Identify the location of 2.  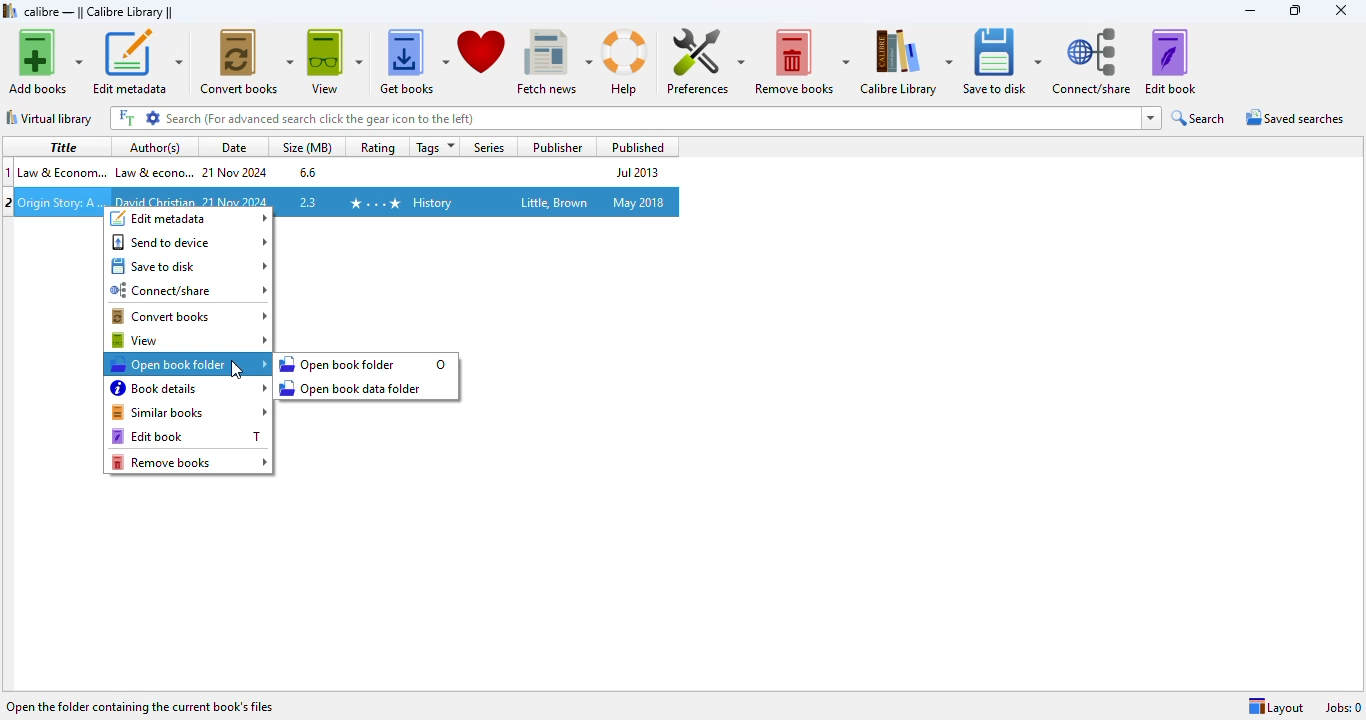
(9, 203).